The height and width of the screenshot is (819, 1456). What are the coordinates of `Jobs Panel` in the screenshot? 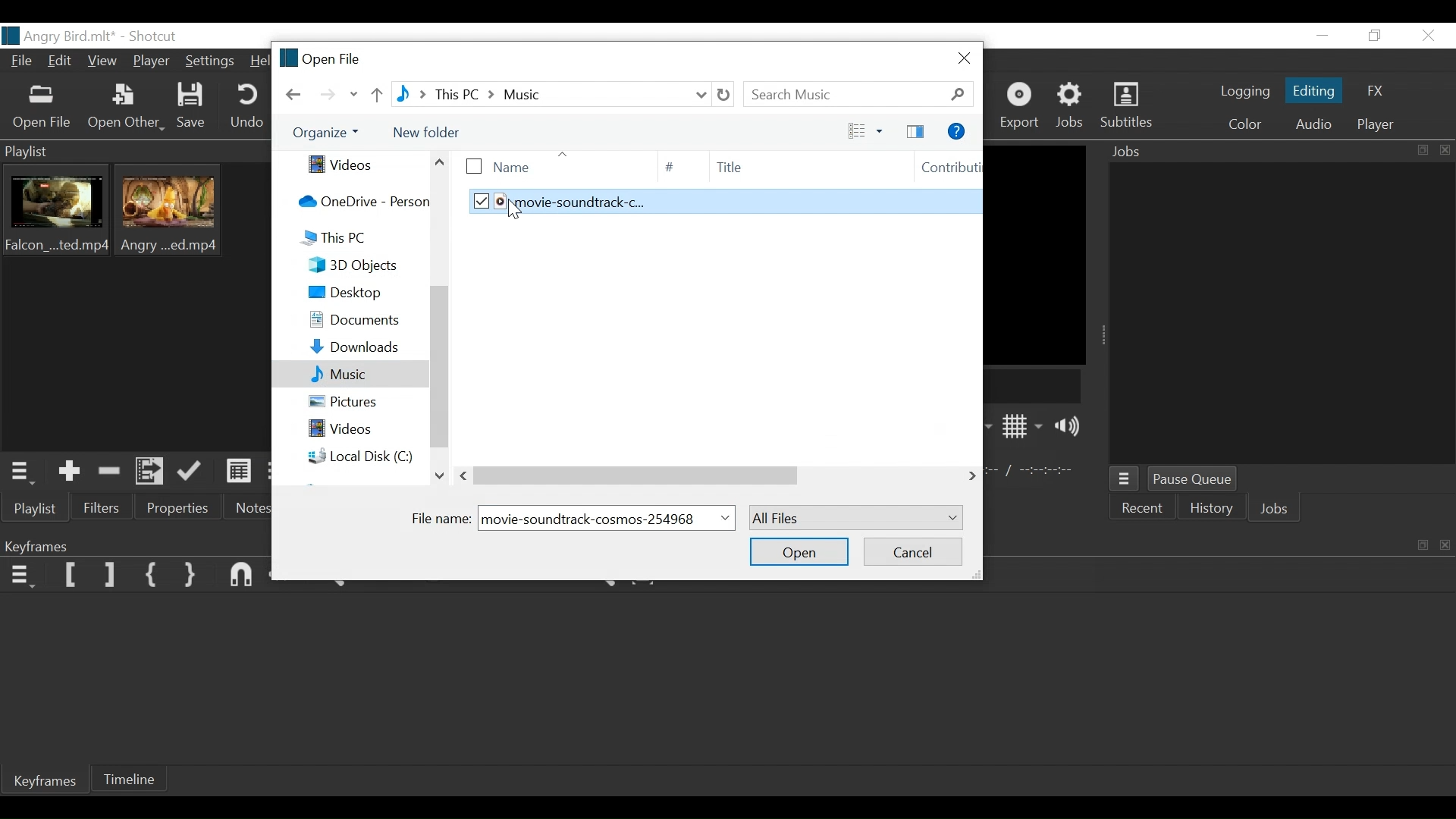 It's located at (1277, 153).